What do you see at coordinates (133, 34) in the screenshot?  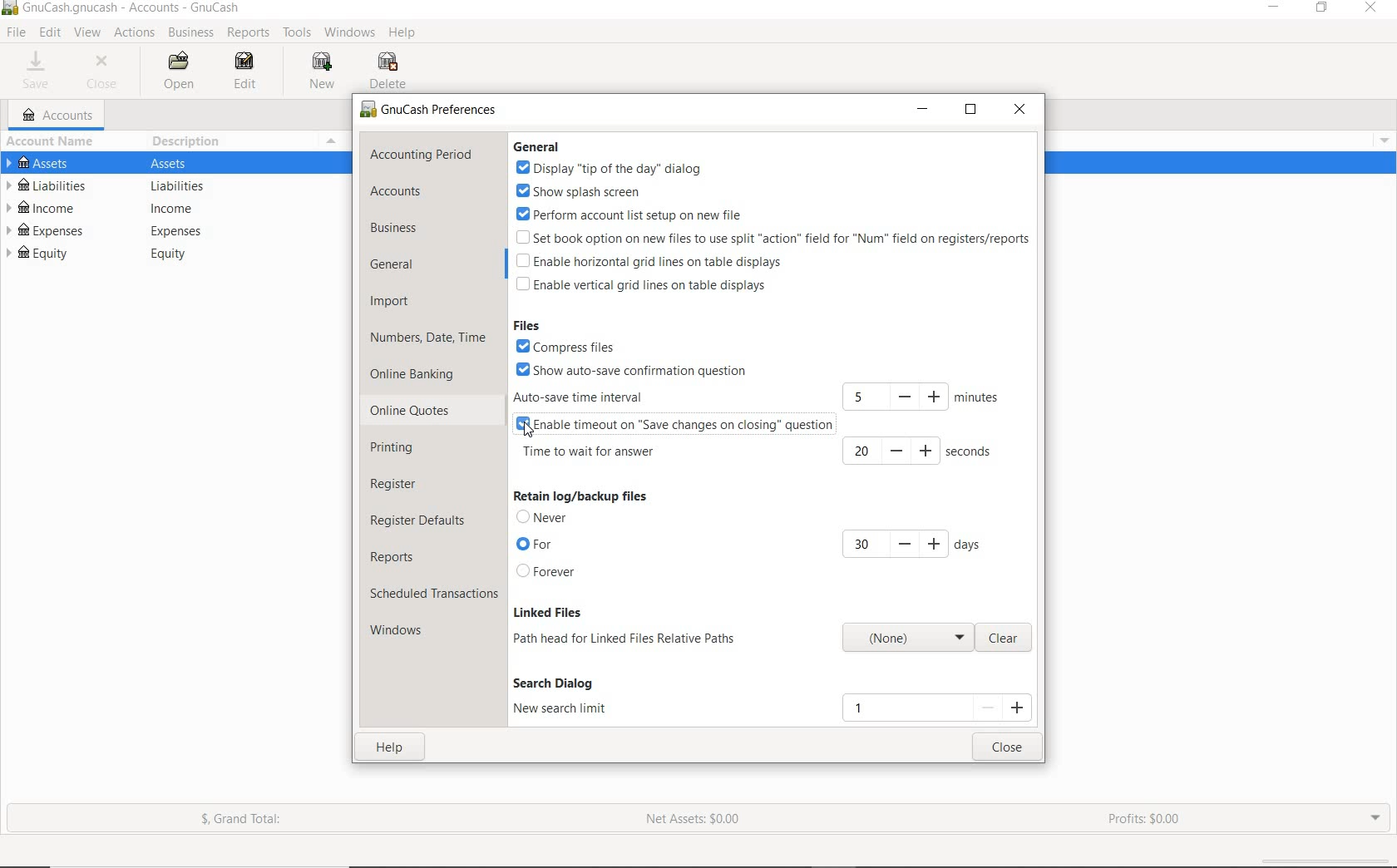 I see `ACTIONS` at bounding box center [133, 34].